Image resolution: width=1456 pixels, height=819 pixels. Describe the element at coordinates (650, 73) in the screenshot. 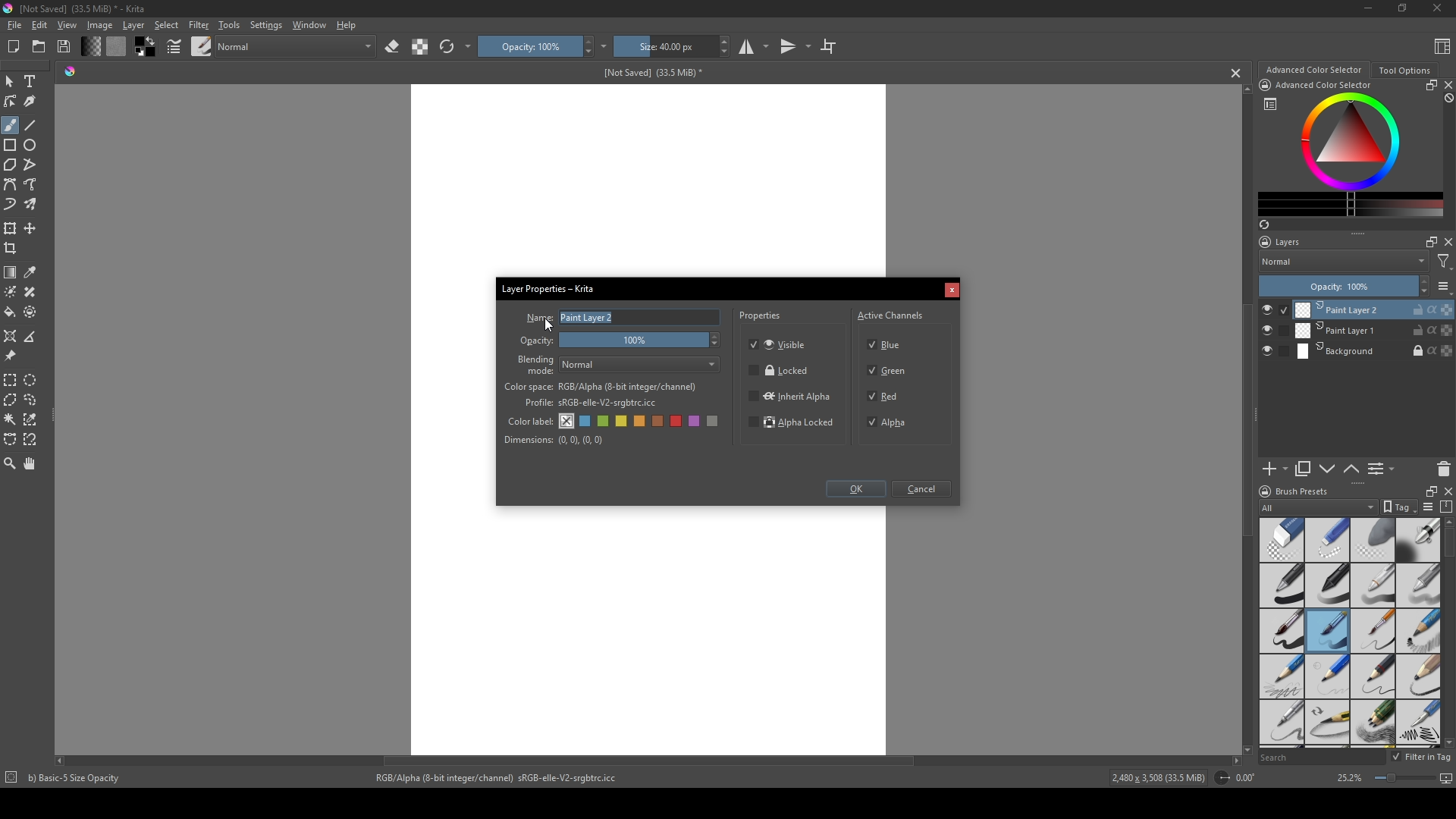

I see `[Not Saved] (33.5 MiB)` at that location.